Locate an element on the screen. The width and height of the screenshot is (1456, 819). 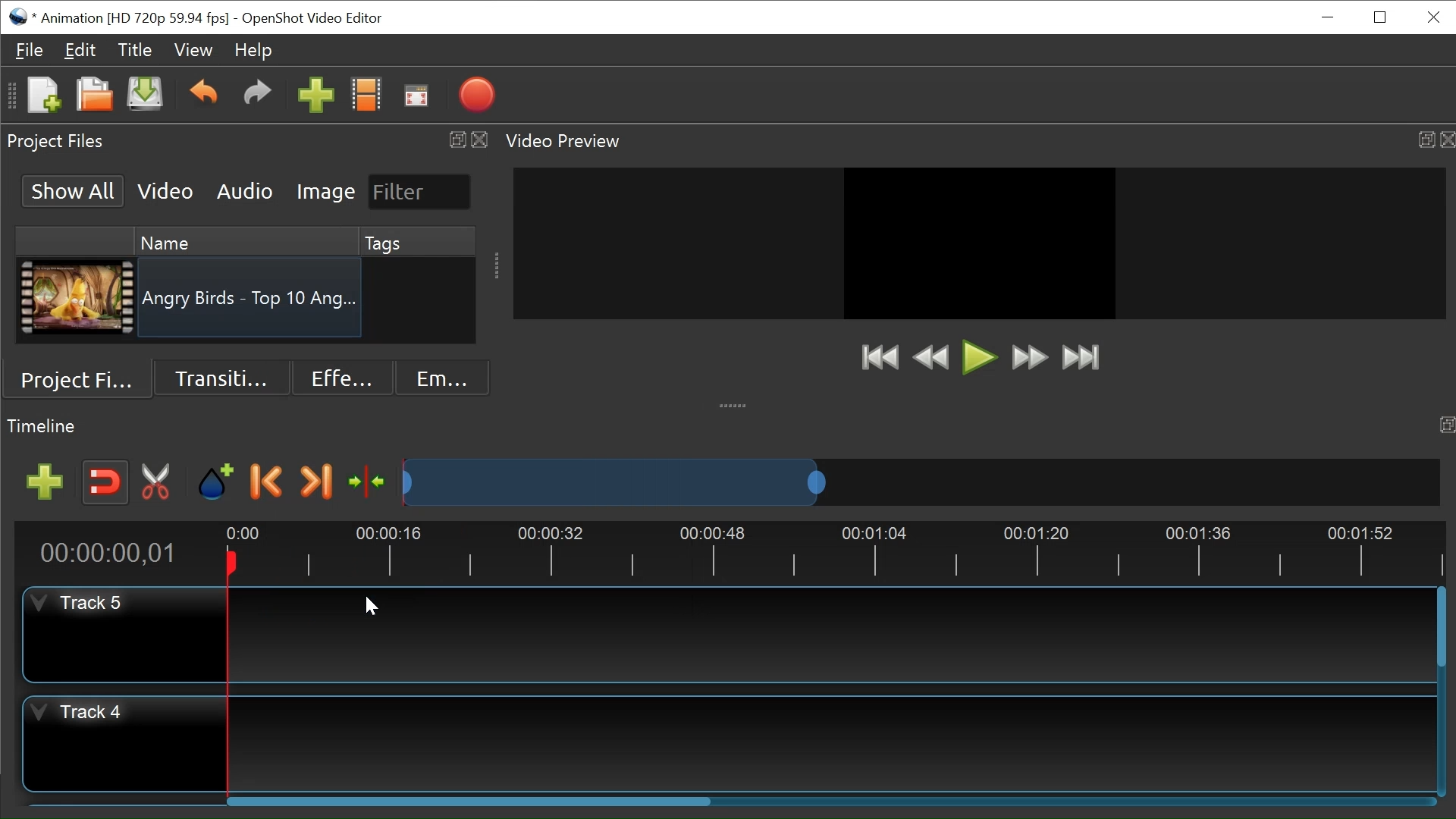
Preview Window is located at coordinates (980, 243).